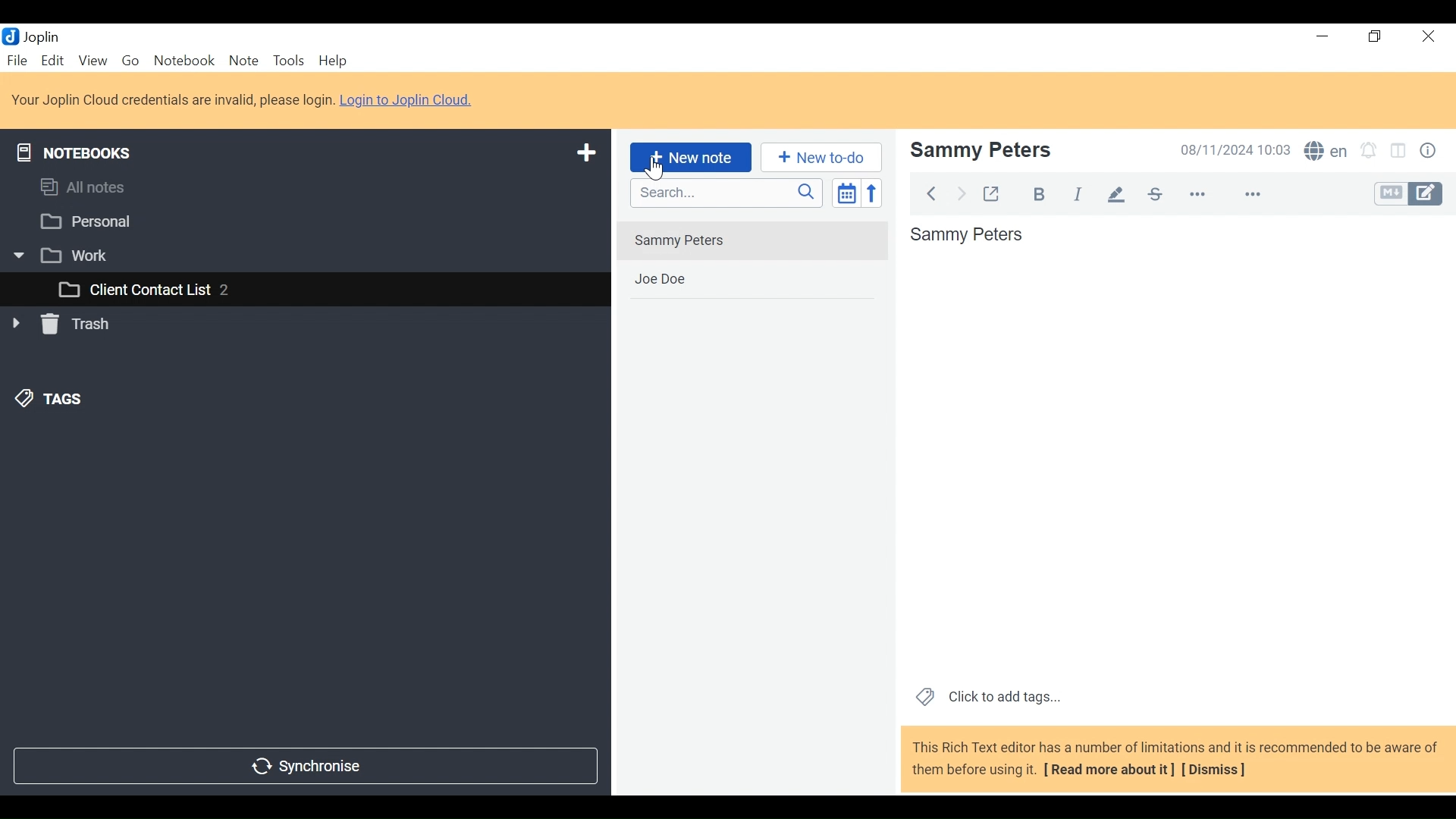  I want to click on Tools, so click(287, 61).